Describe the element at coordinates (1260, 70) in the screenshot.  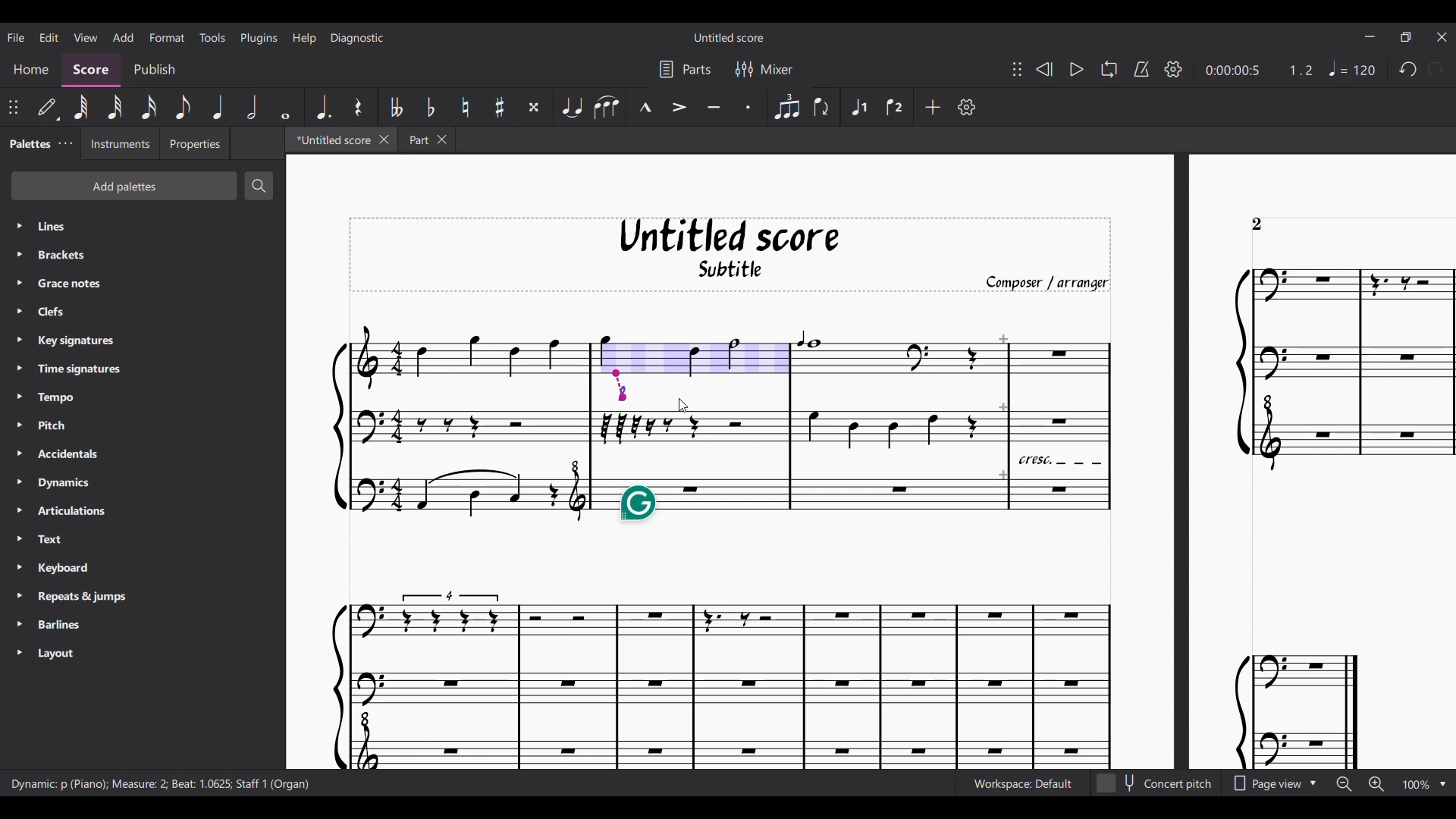
I see `Current duration and ratio` at that location.